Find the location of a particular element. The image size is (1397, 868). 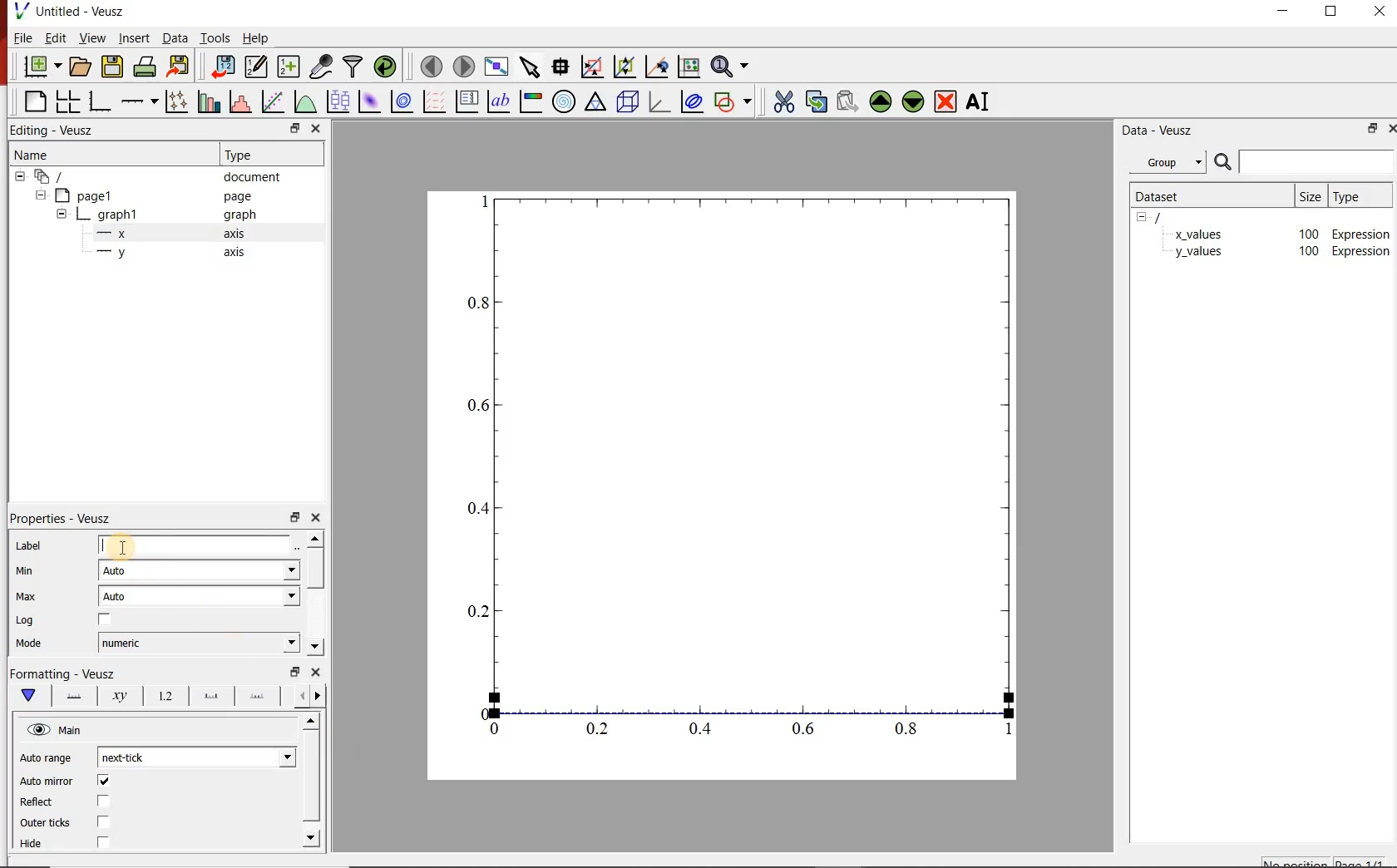

polar graph is located at coordinates (565, 103).